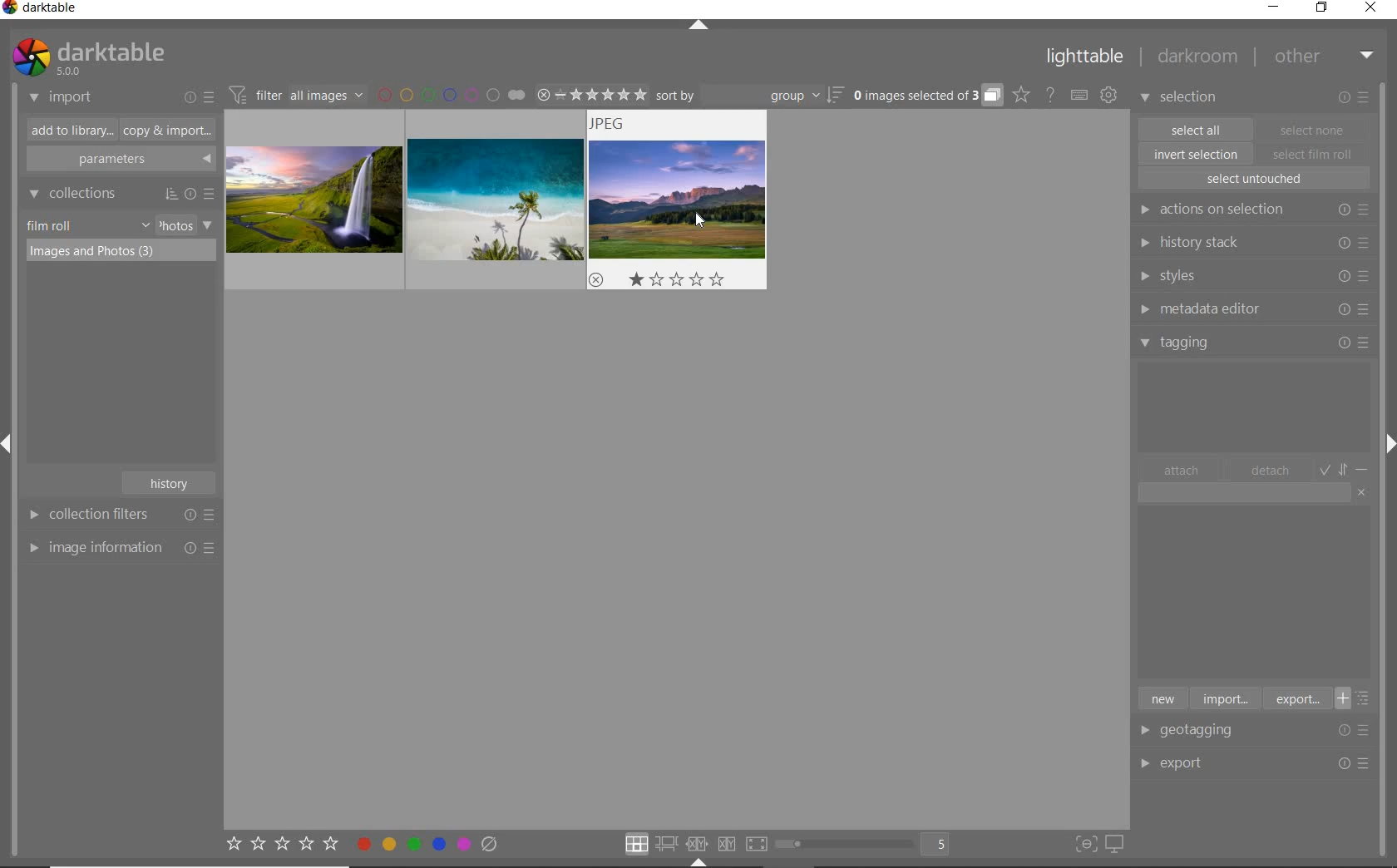  I want to click on selection, so click(1181, 99).